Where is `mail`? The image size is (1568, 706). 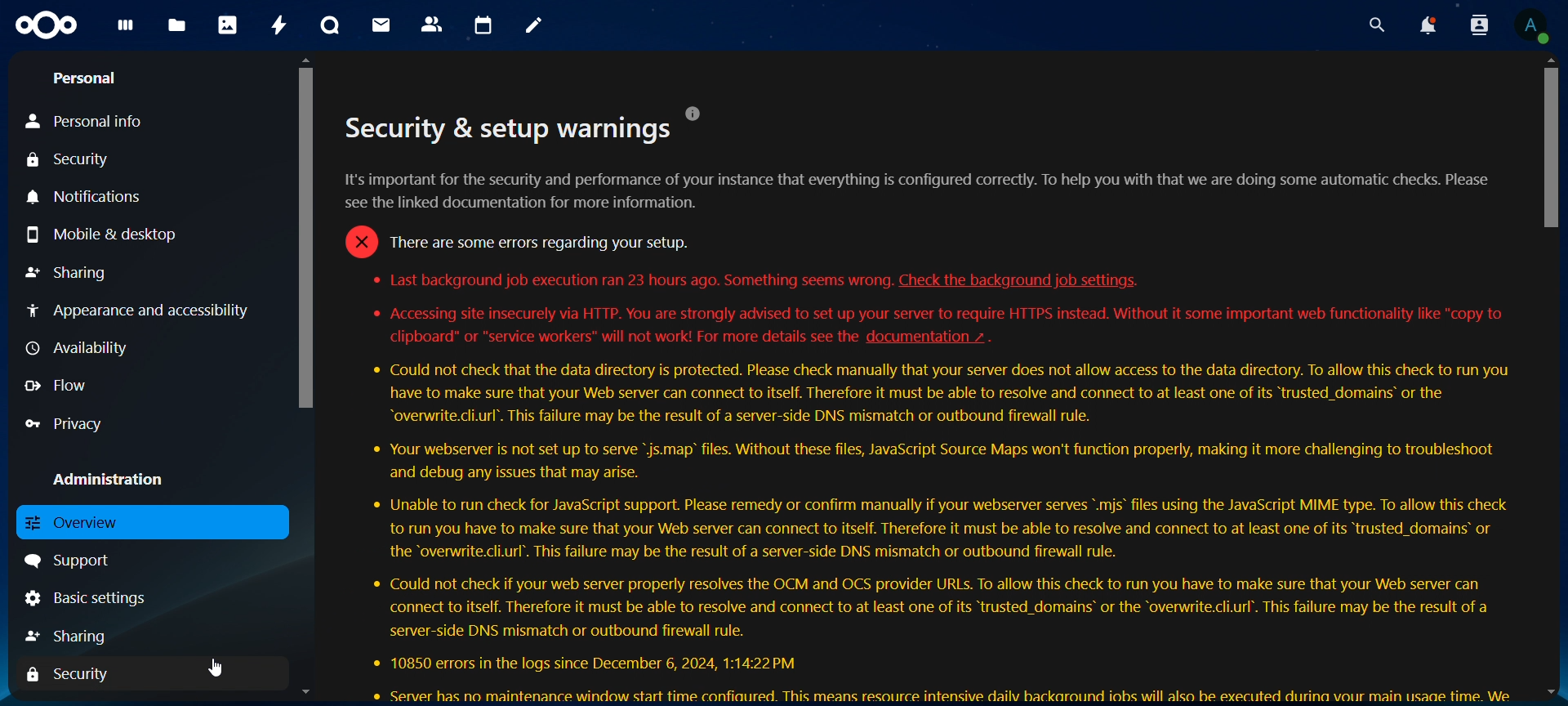 mail is located at coordinates (381, 25).